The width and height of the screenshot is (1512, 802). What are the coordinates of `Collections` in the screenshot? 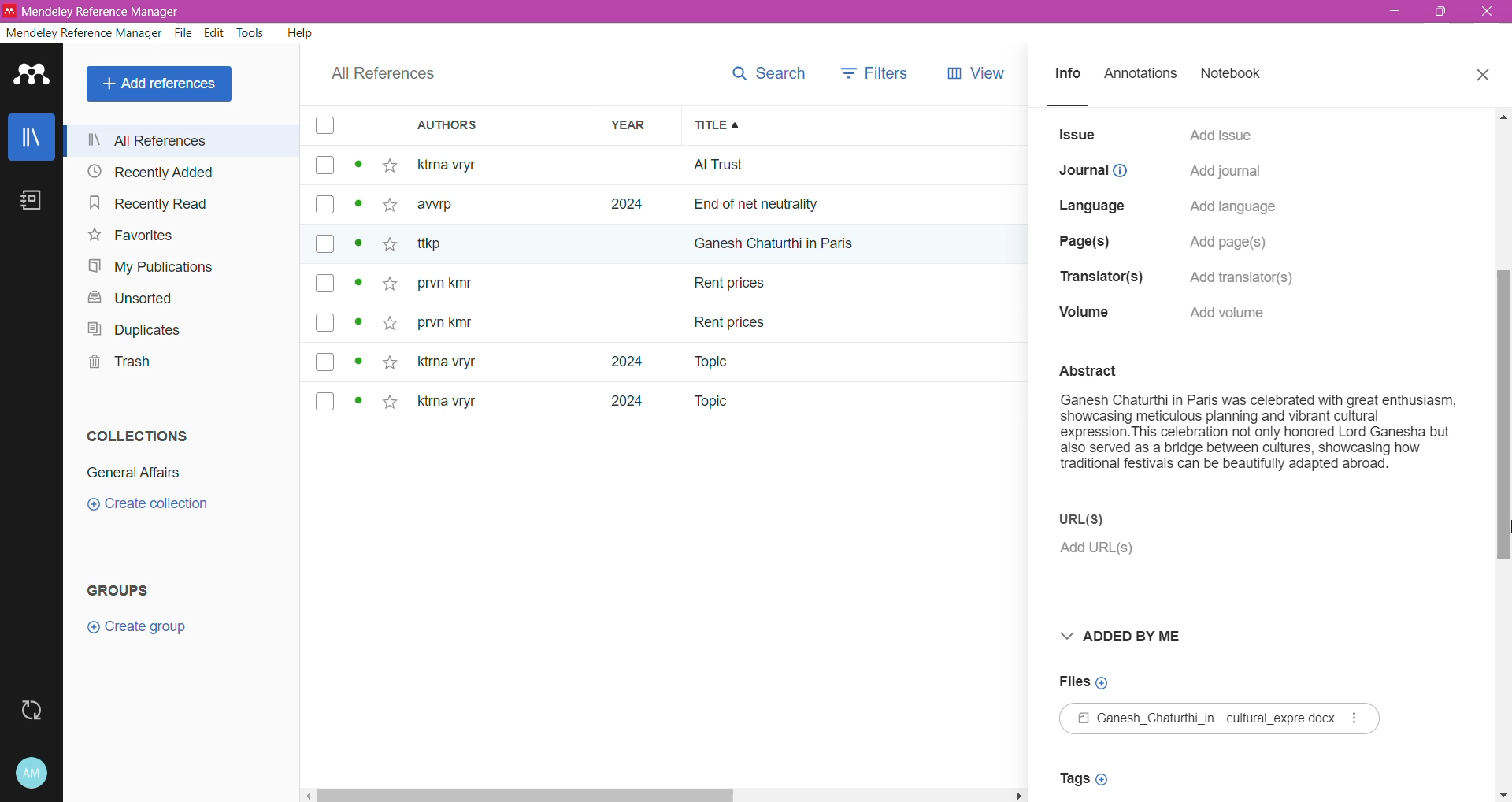 It's located at (135, 436).